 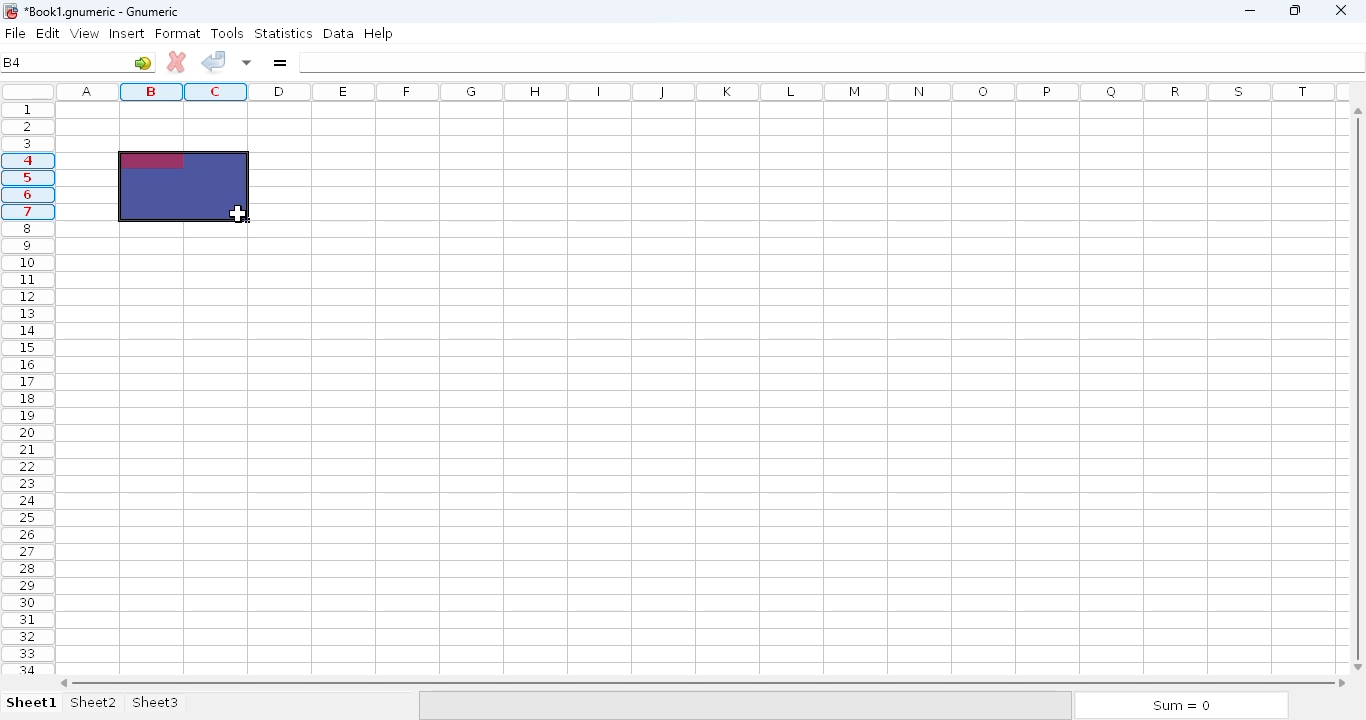 I want to click on accept change, so click(x=215, y=61).